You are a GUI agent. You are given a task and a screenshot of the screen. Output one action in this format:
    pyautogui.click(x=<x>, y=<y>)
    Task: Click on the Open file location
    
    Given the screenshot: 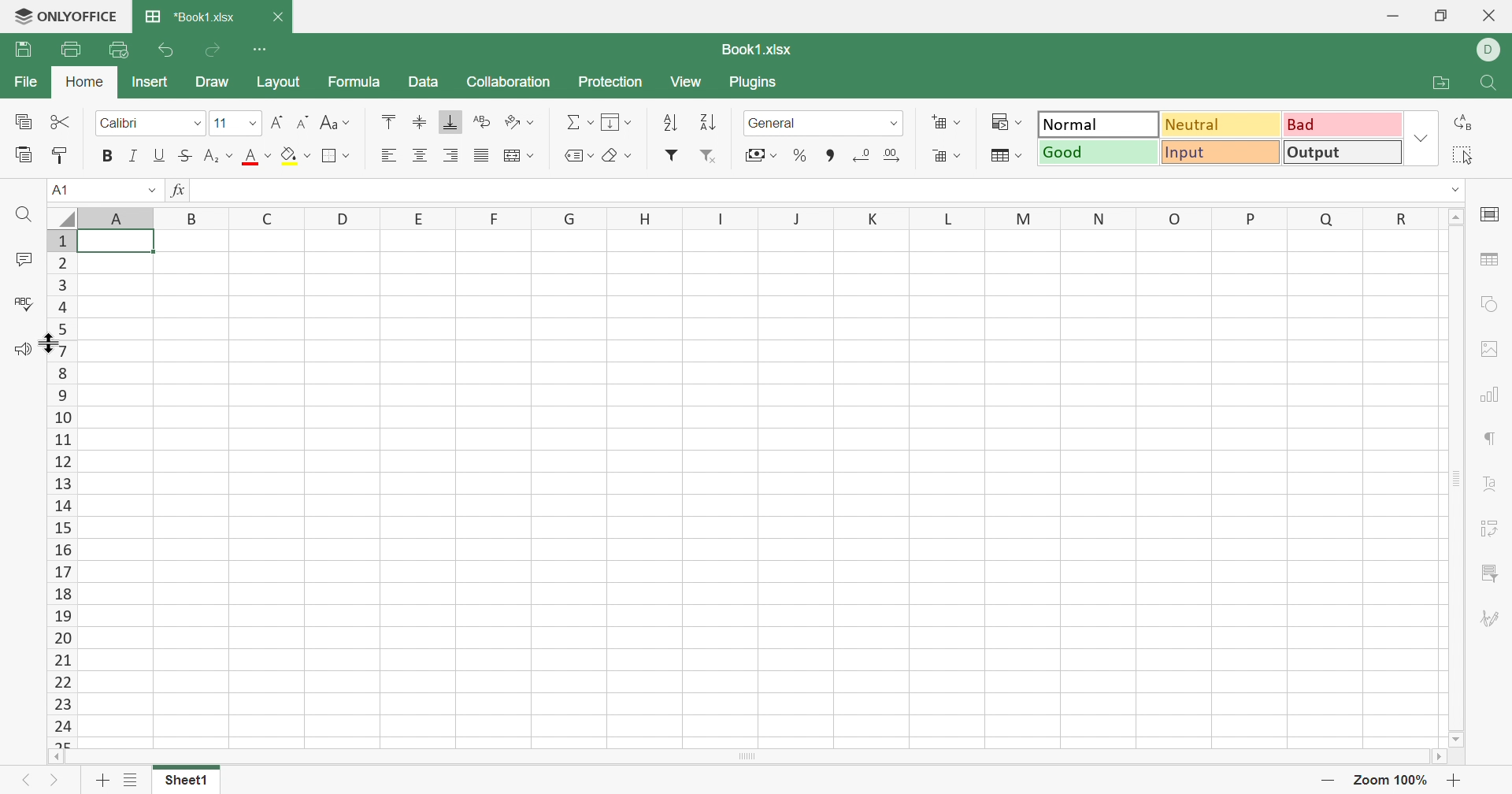 What is the action you would take?
    pyautogui.click(x=1440, y=84)
    